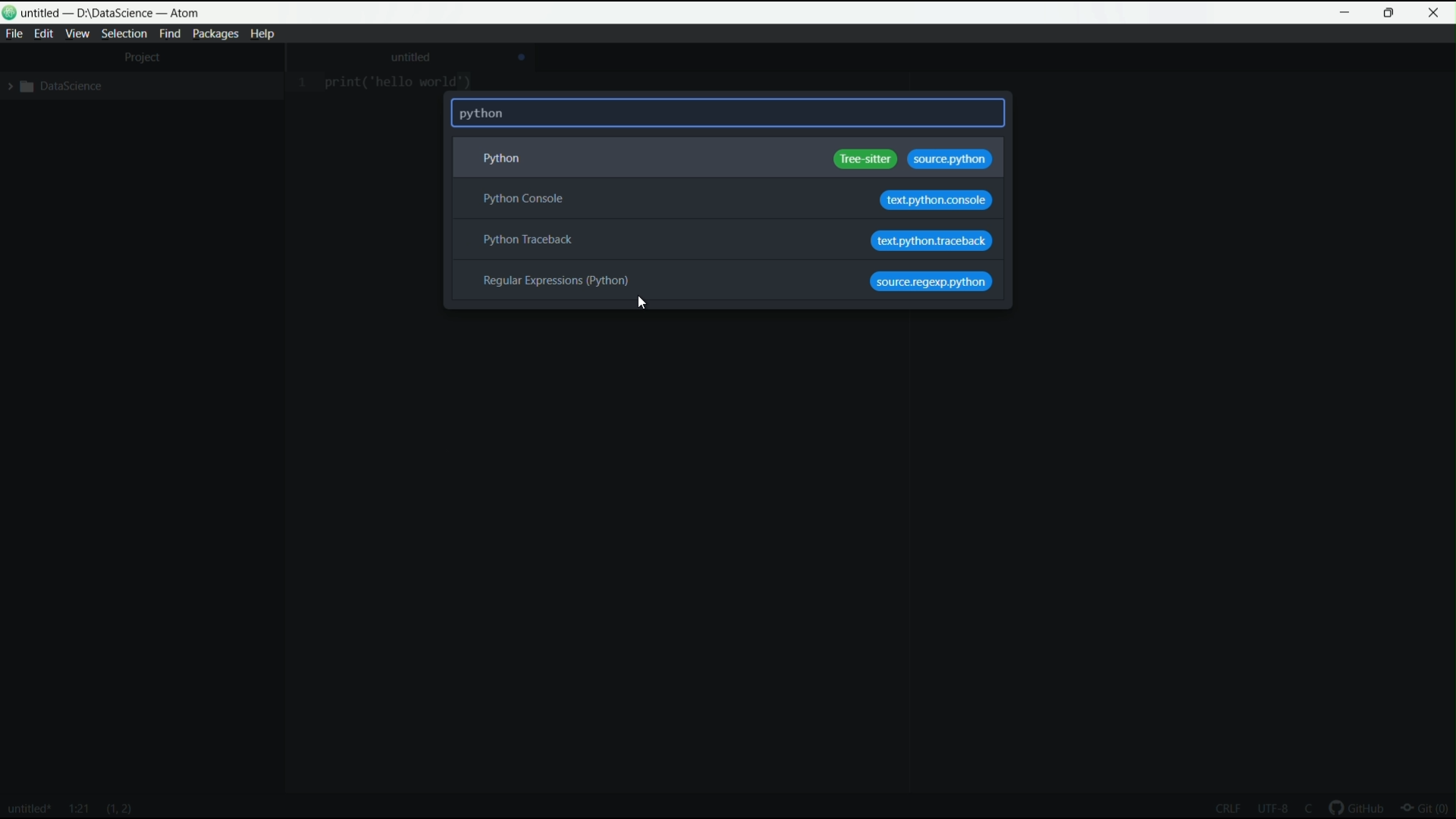 Image resolution: width=1456 pixels, height=819 pixels. What do you see at coordinates (1389, 13) in the screenshot?
I see `maximize or restore` at bounding box center [1389, 13].